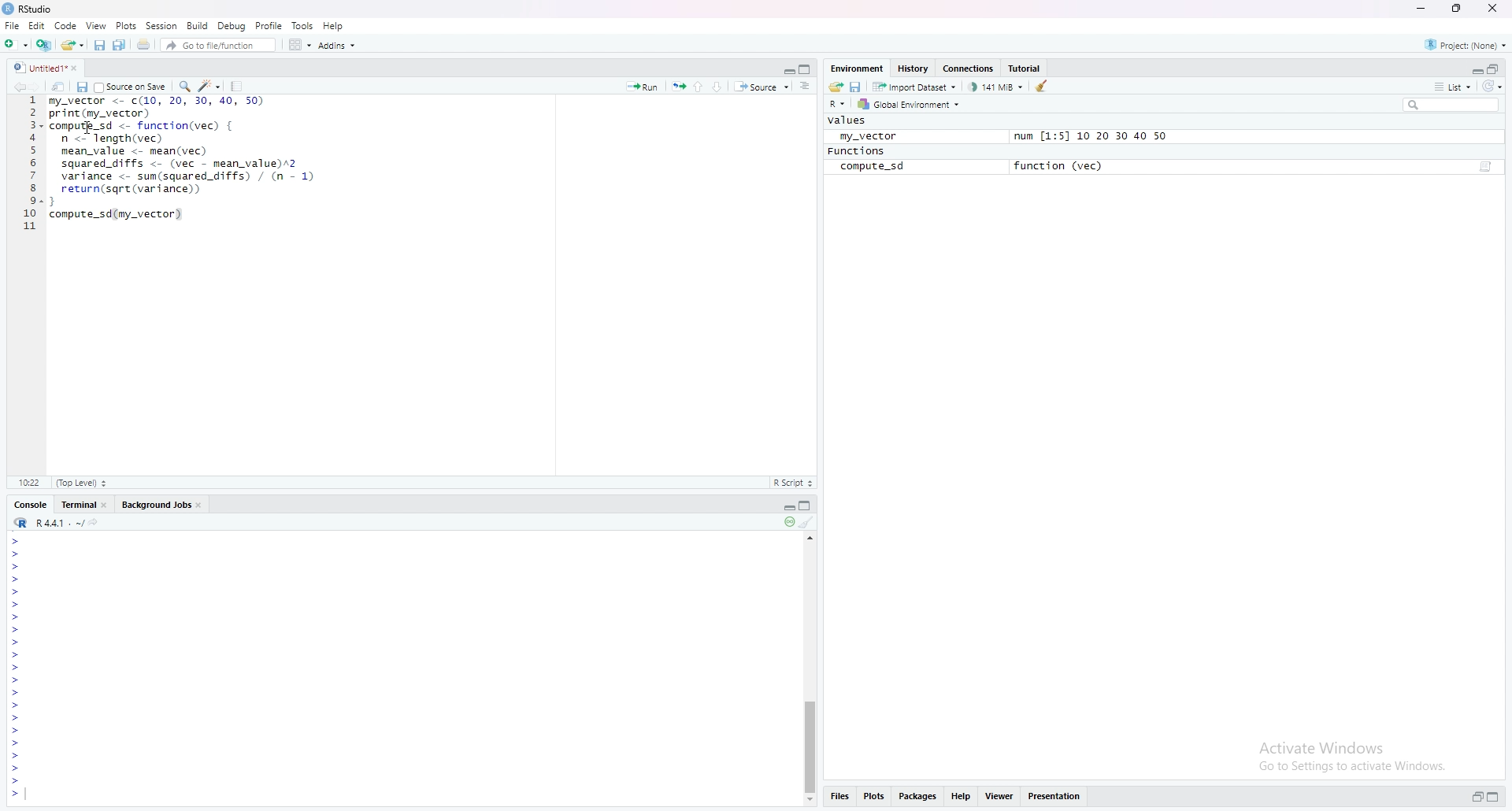 The image size is (1512, 811). I want to click on Maximize/Restore, so click(1495, 69).